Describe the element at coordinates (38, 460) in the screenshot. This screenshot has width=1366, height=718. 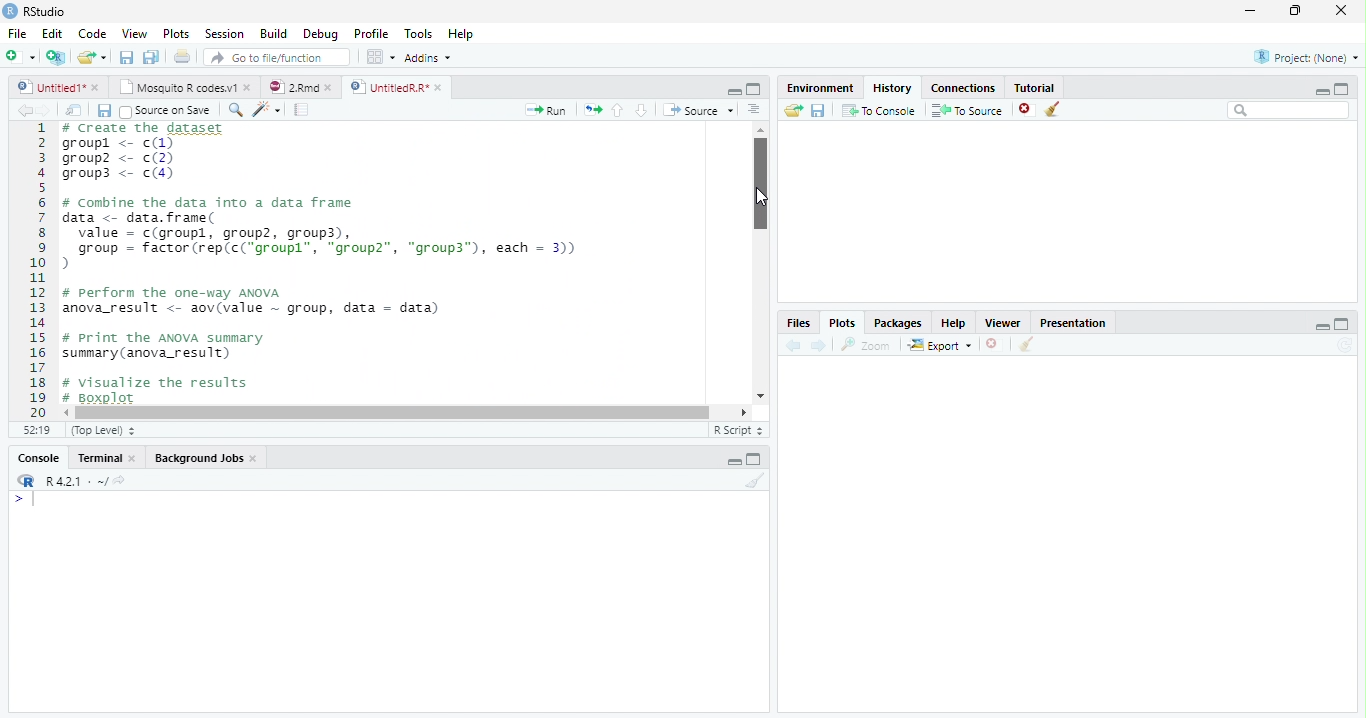
I see `Console` at that location.